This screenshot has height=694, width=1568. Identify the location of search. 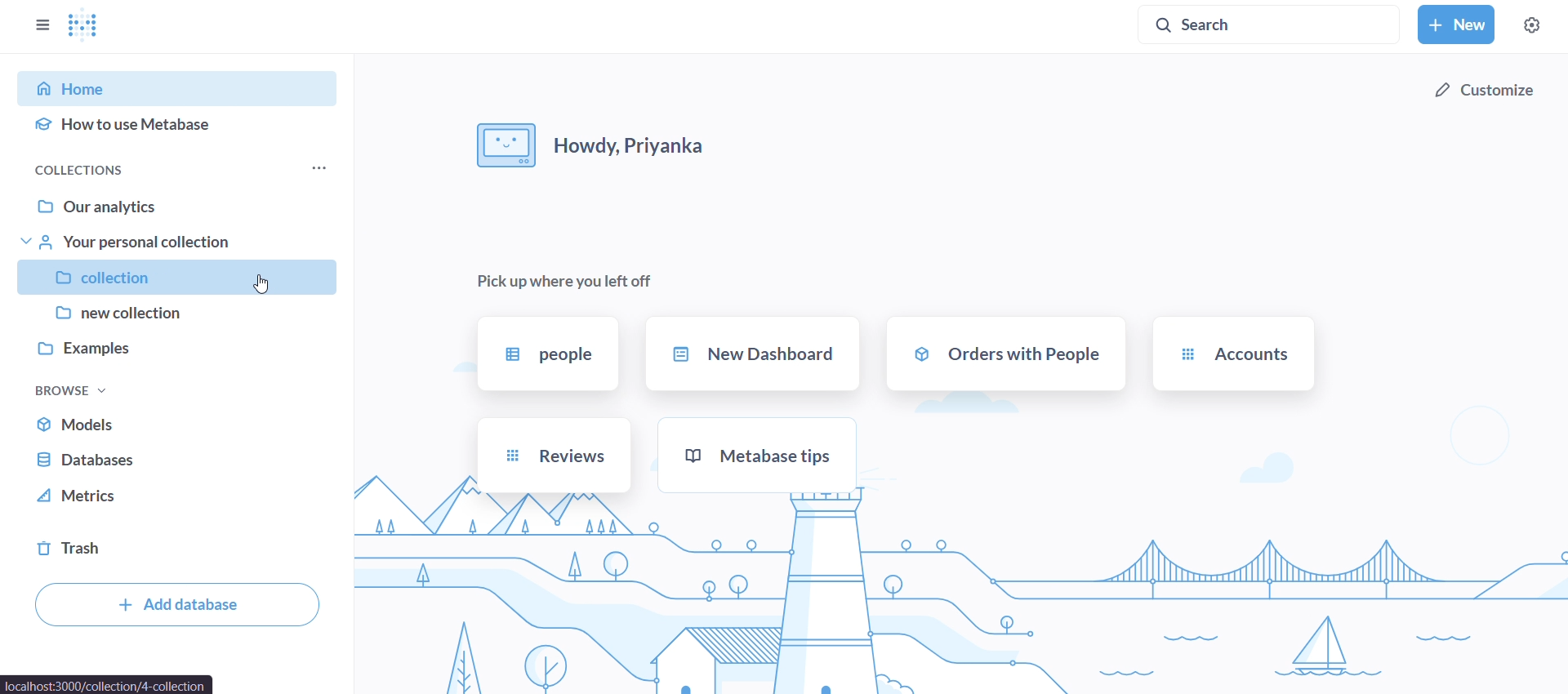
(1271, 25).